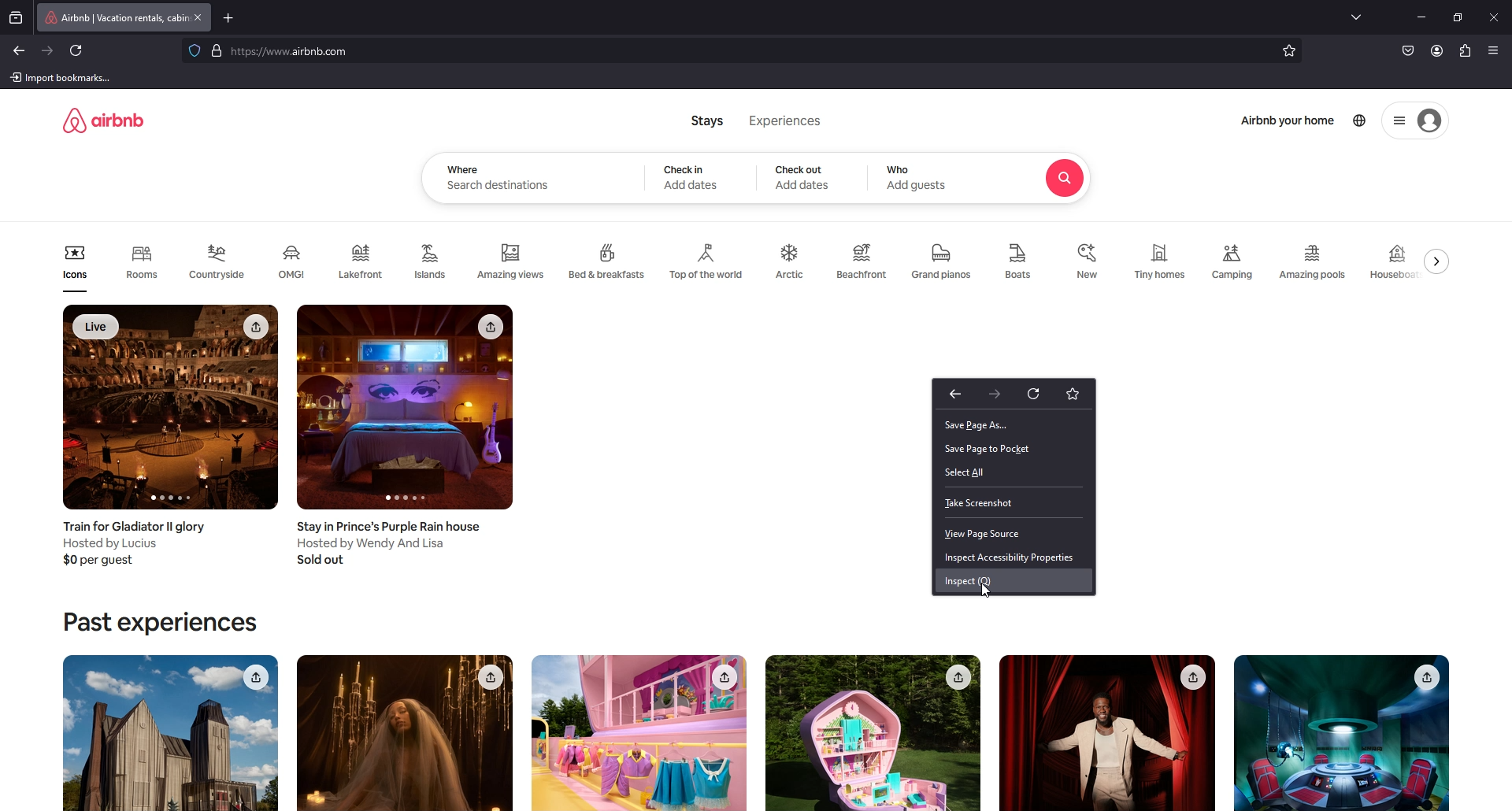 The height and width of the screenshot is (811, 1512). I want to click on search bar, so click(737, 52).